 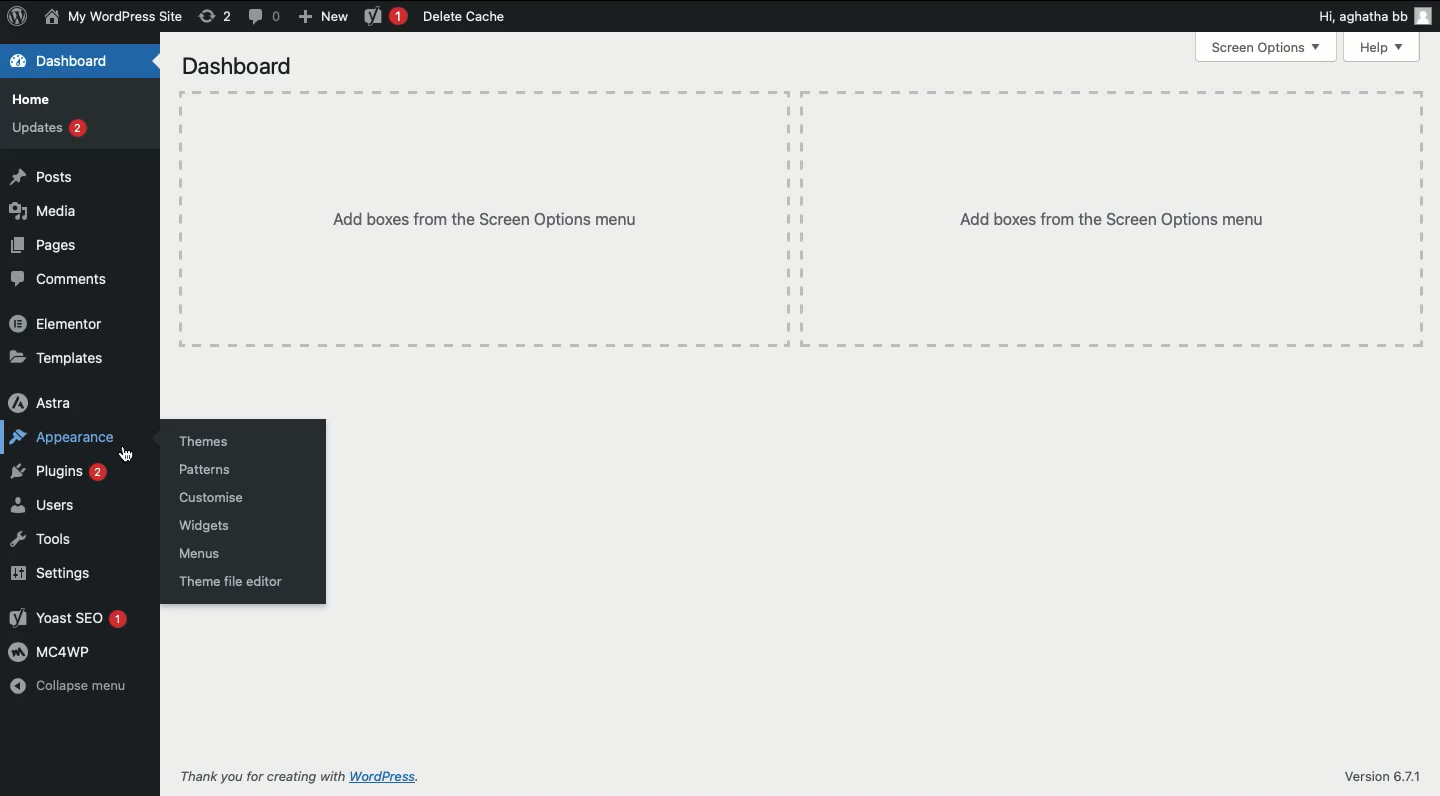 What do you see at coordinates (211, 434) in the screenshot?
I see `Themes` at bounding box center [211, 434].